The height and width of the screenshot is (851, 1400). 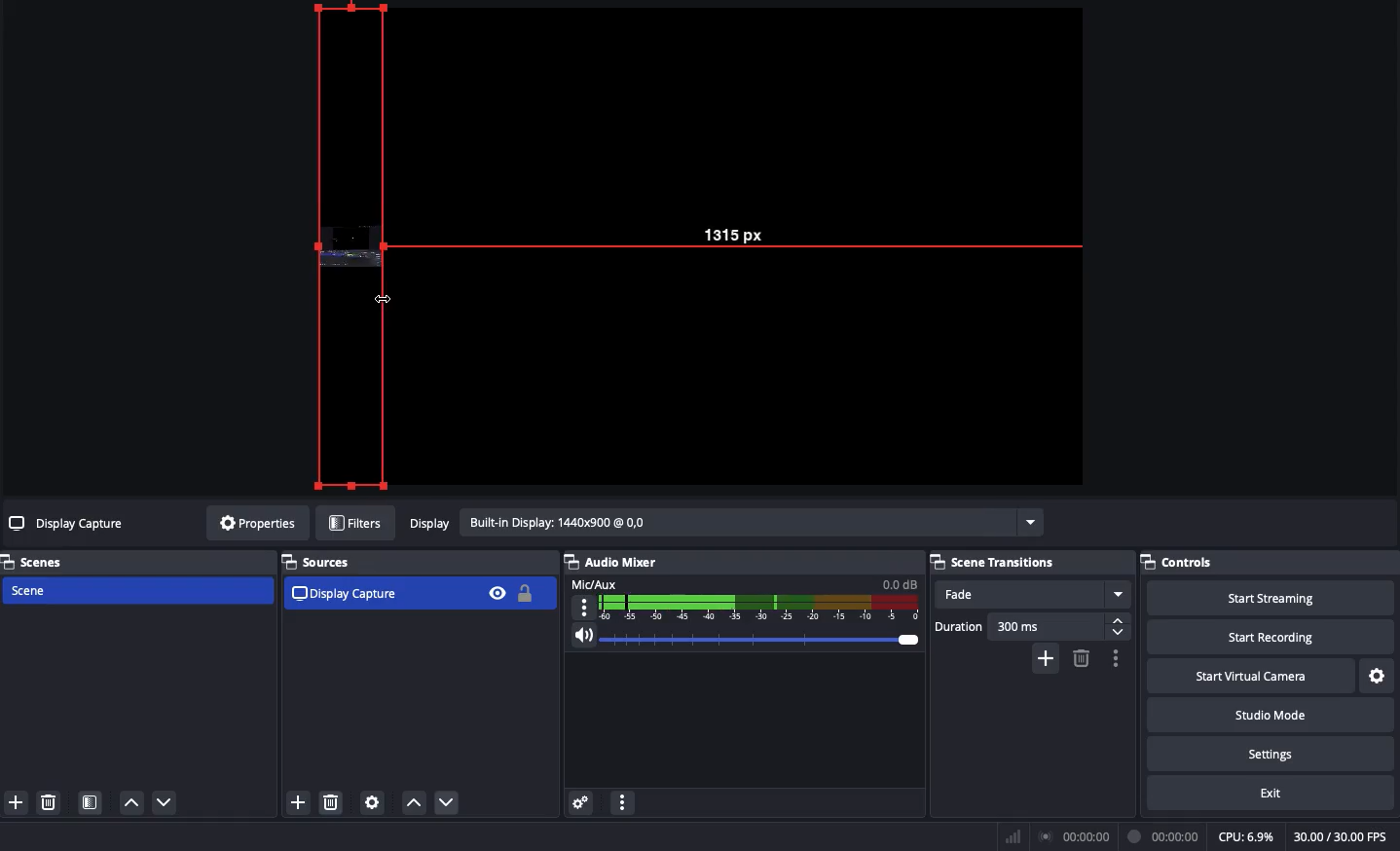 I want to click on Move up, so click(x=130, y=801).